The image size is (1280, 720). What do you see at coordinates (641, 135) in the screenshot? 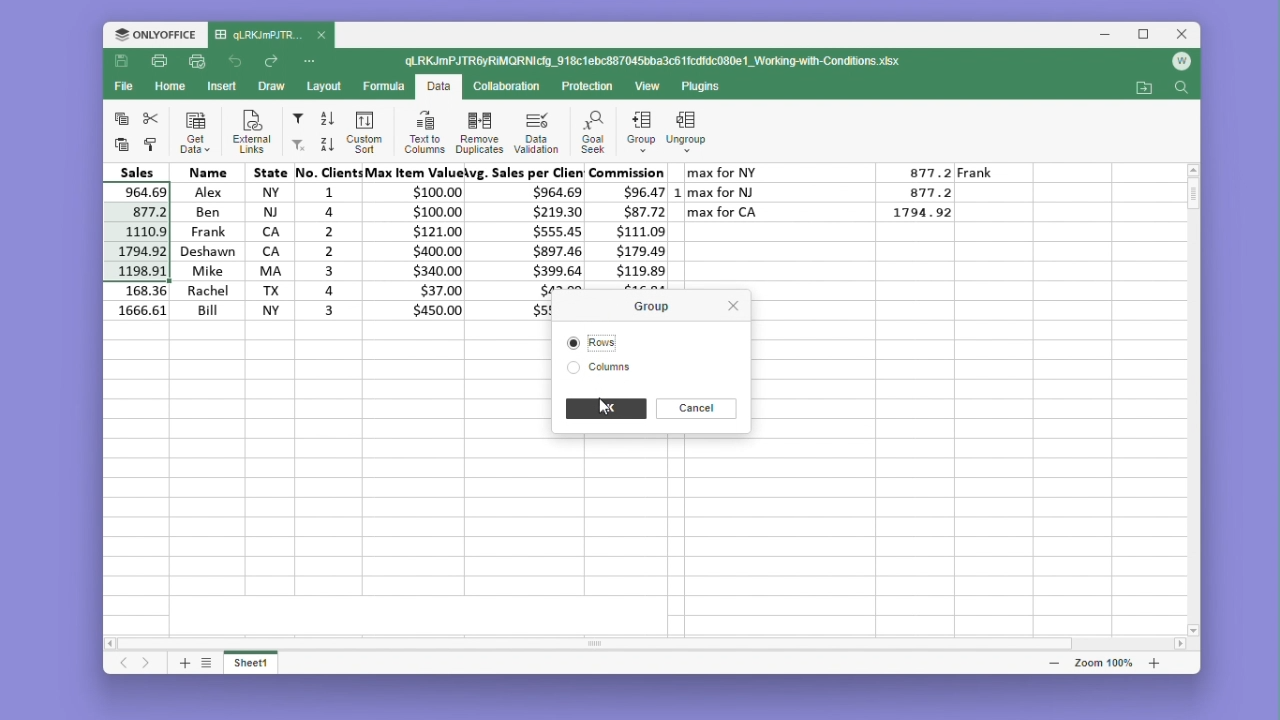
I see `group rows` at bounding box center [641, 135].